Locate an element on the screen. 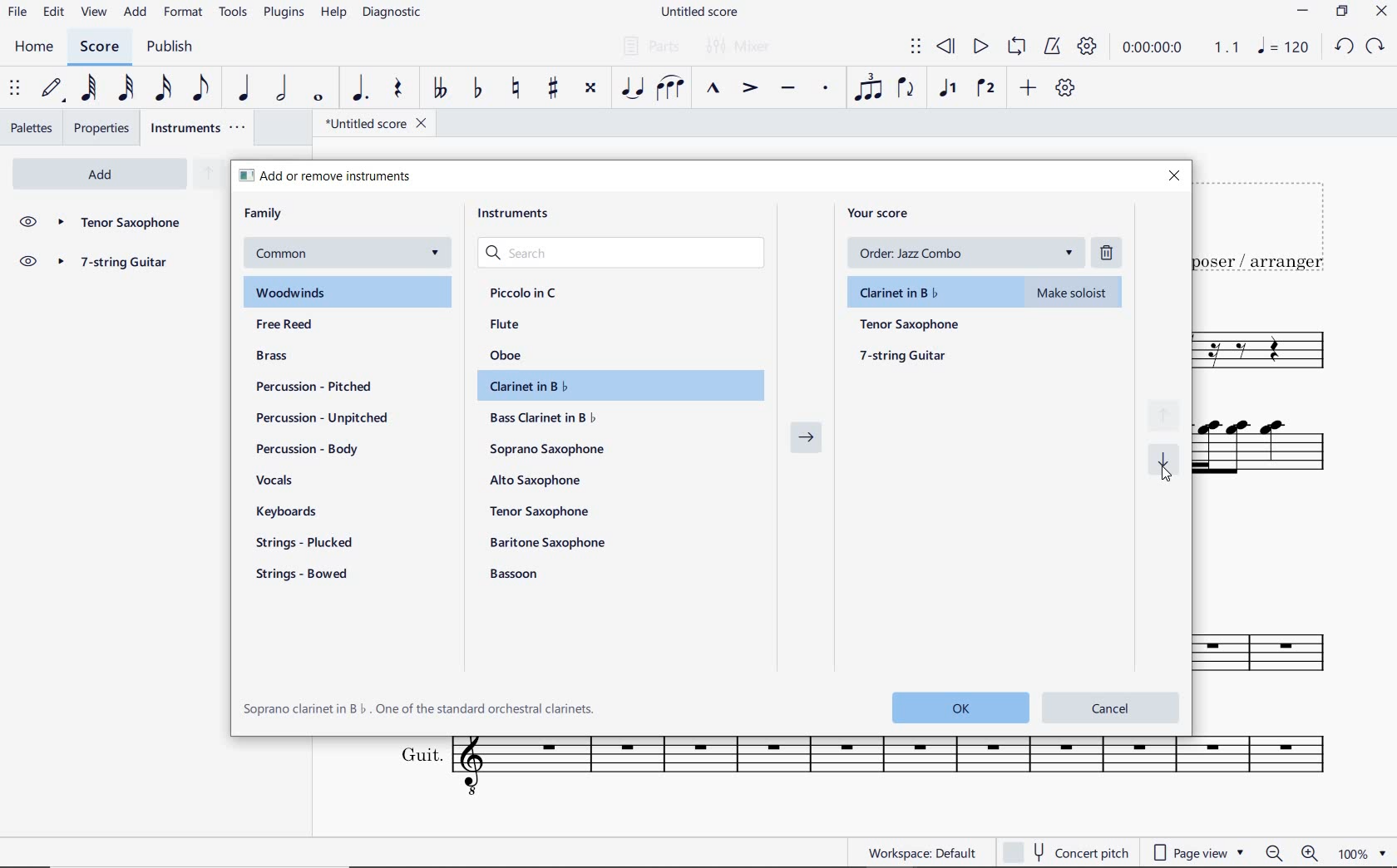  NOTE is located at coordinates (1283, 46).